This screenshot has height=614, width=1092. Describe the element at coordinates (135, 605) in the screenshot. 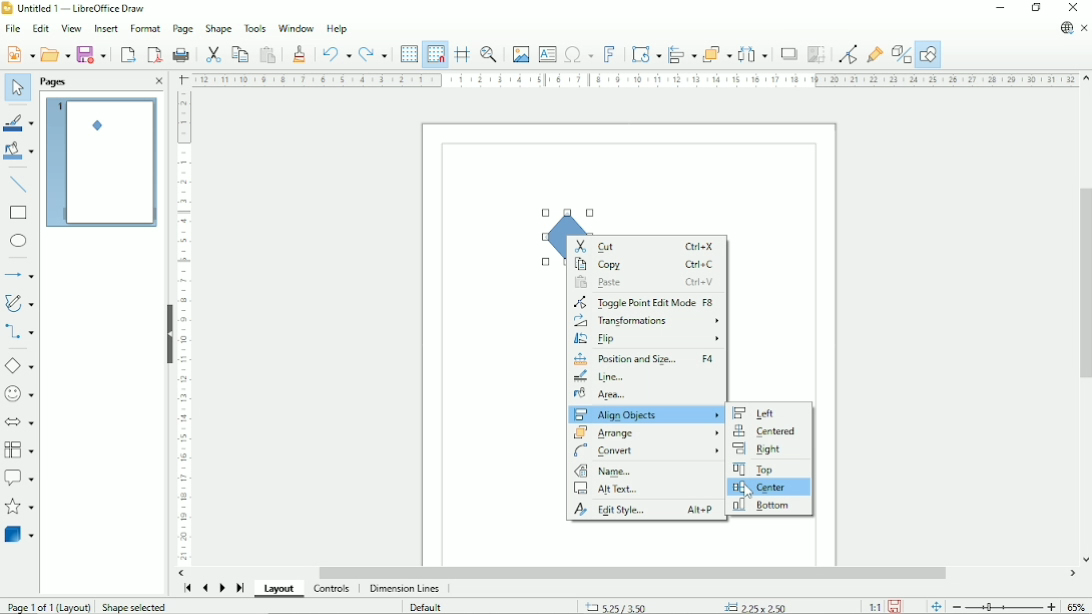

I see `Shape selected` at that location.